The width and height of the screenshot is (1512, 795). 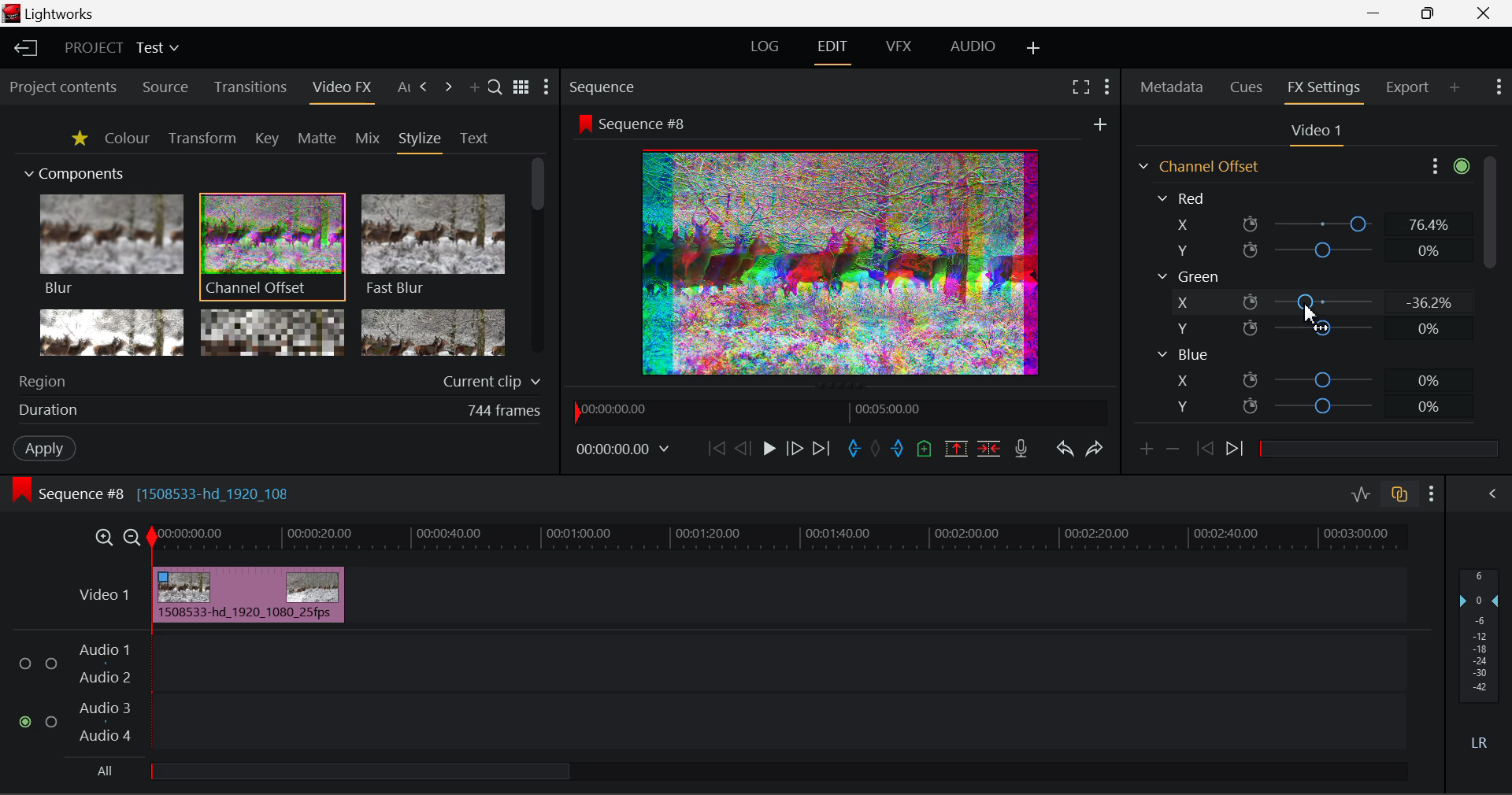 What do you see at coordinates (1196, 166) in the screenshot?
I see `Channel Offset` at bounding box center [1196, 166].